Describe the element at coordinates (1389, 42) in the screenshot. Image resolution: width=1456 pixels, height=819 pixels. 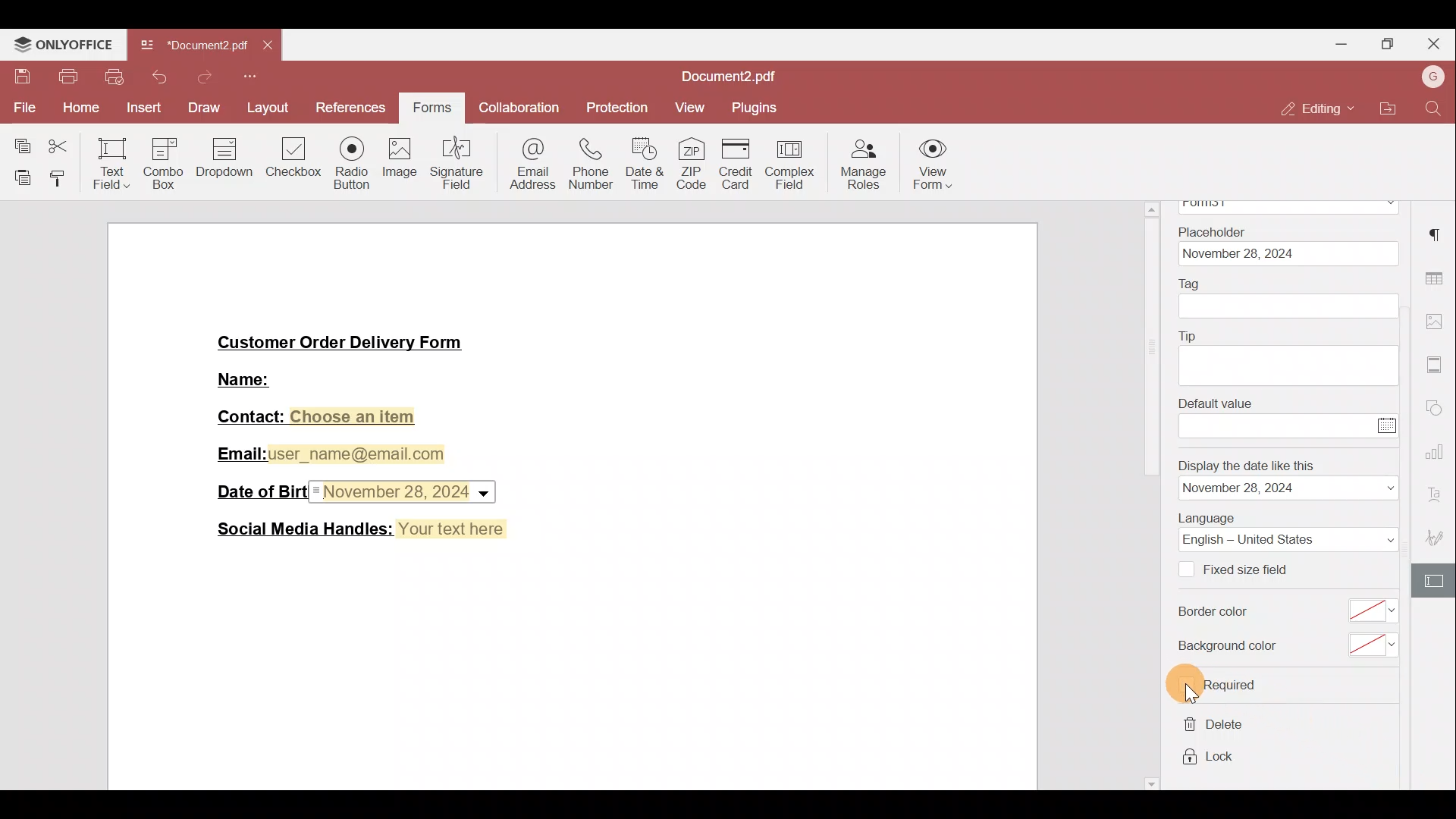
I see `Maximise` at that location.